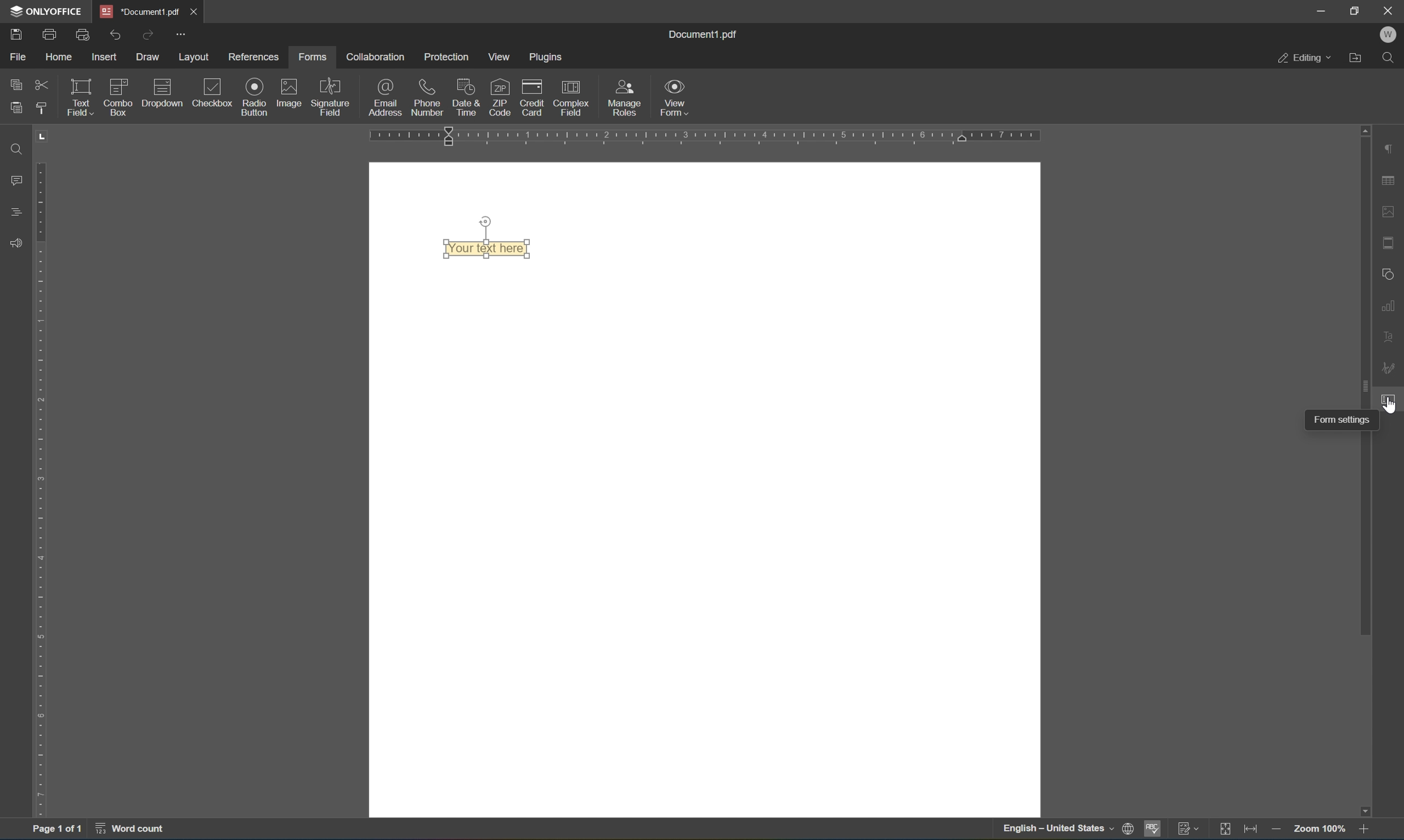  I want to click on radio button, so click(255, 96).